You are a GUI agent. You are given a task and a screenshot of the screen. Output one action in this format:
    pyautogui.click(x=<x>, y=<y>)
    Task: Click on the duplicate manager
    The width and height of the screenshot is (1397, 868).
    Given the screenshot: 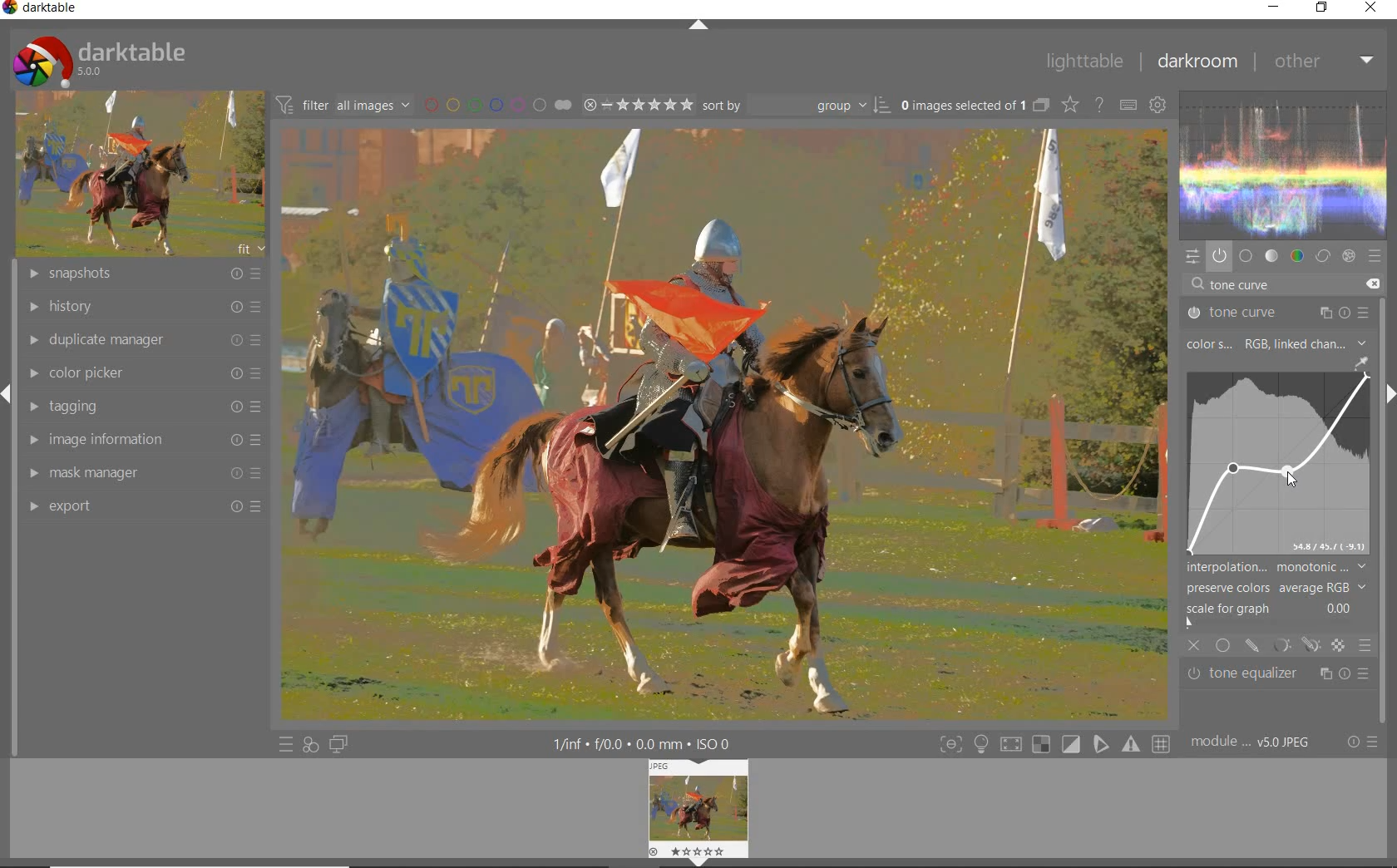 What is the action you would take?
    pyautogui.click(x=144, y=339)
    